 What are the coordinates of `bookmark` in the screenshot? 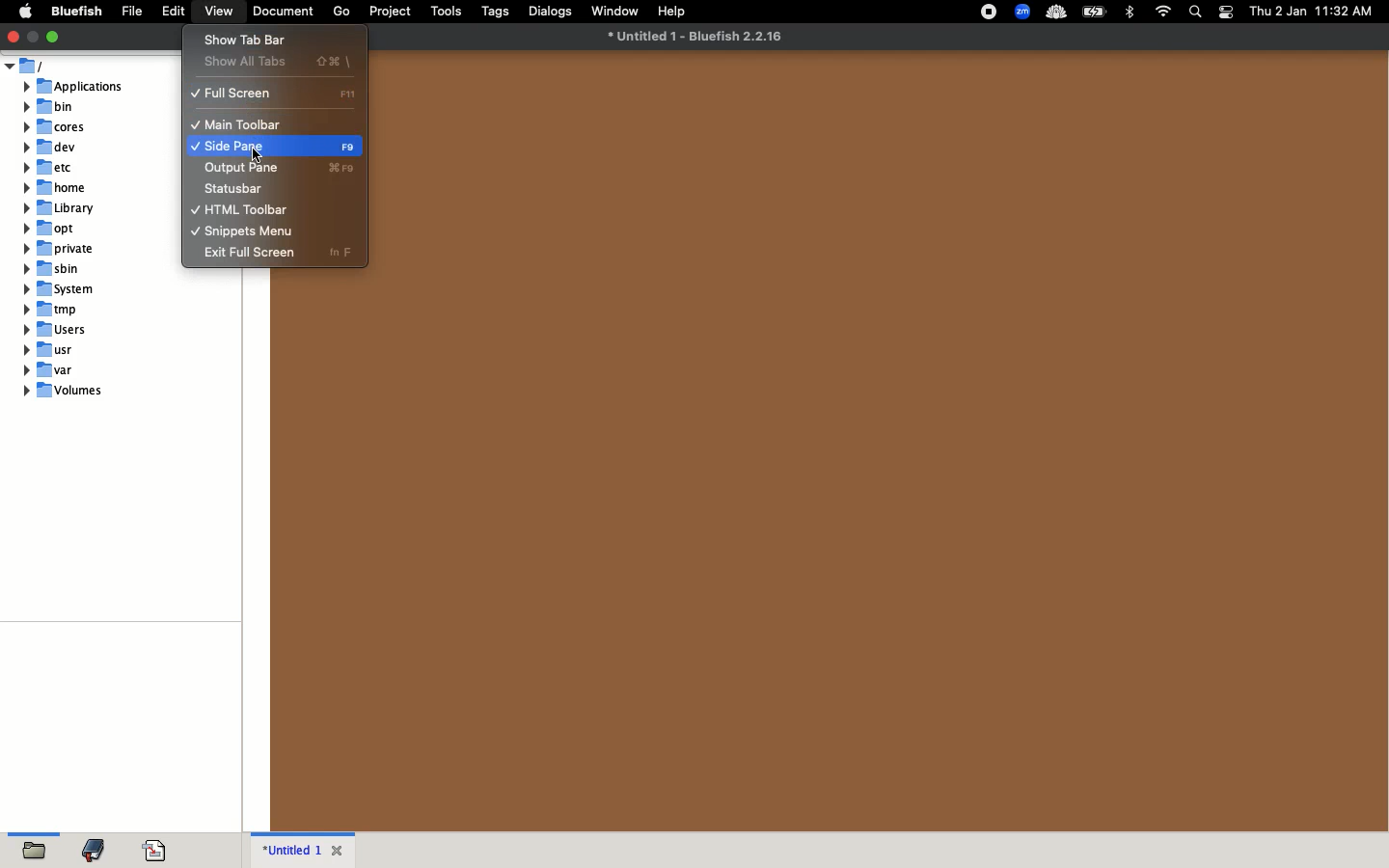 It's located at (94, 847).